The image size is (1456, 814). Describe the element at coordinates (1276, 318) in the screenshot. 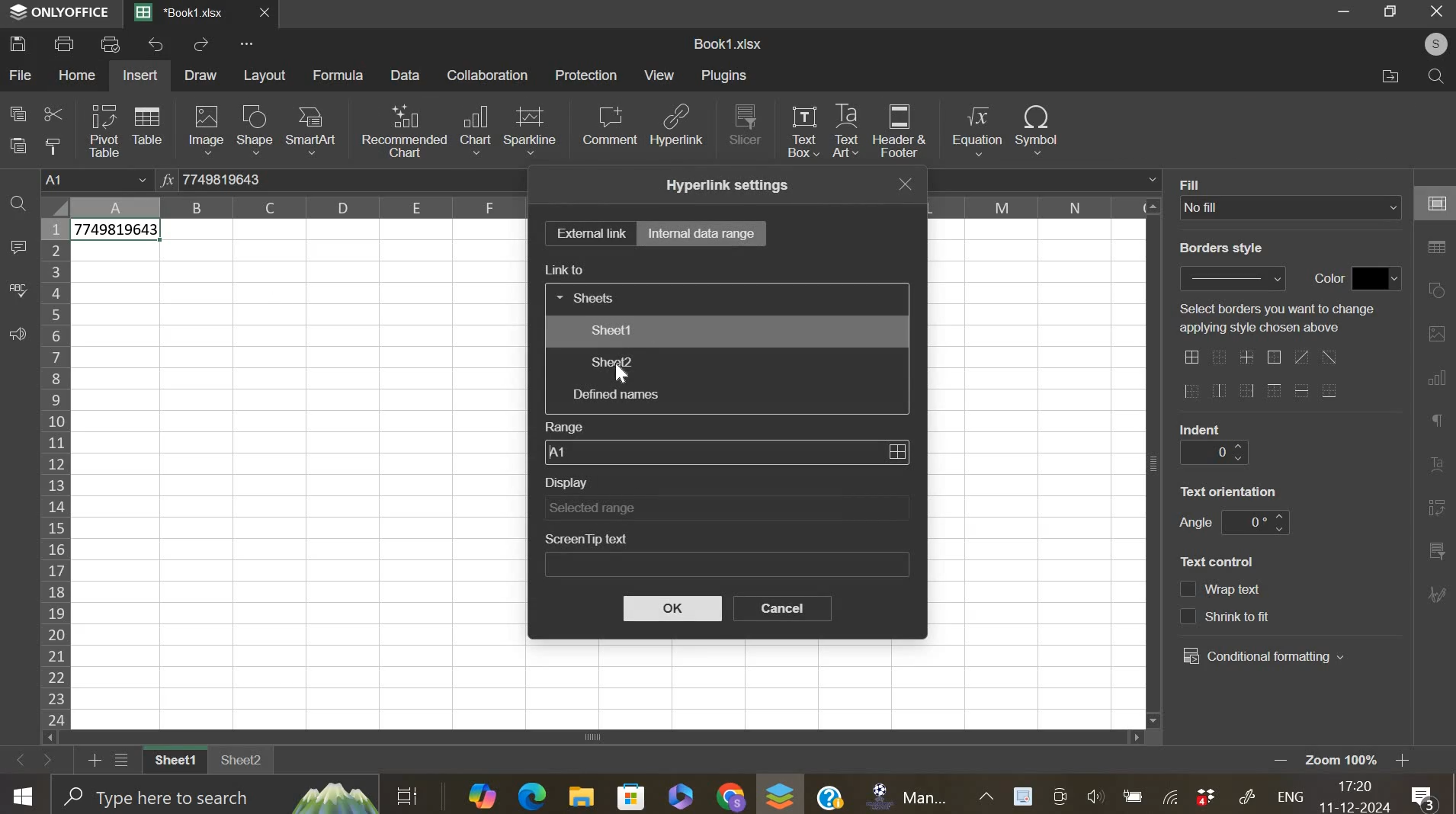

I see `text` at that location.